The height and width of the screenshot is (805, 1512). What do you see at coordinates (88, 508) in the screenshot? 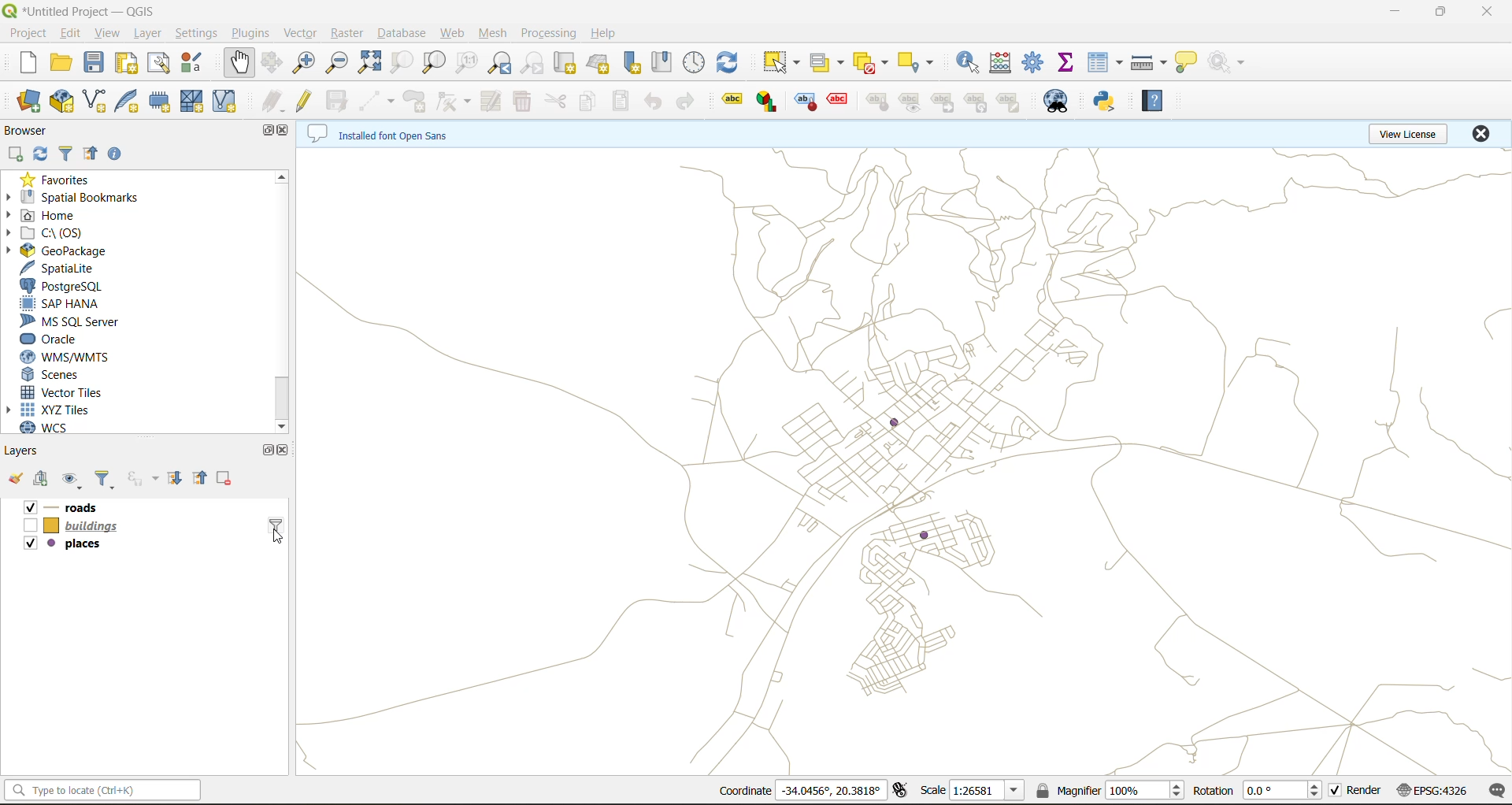
I see `layers` at bounding box center [88, 508].